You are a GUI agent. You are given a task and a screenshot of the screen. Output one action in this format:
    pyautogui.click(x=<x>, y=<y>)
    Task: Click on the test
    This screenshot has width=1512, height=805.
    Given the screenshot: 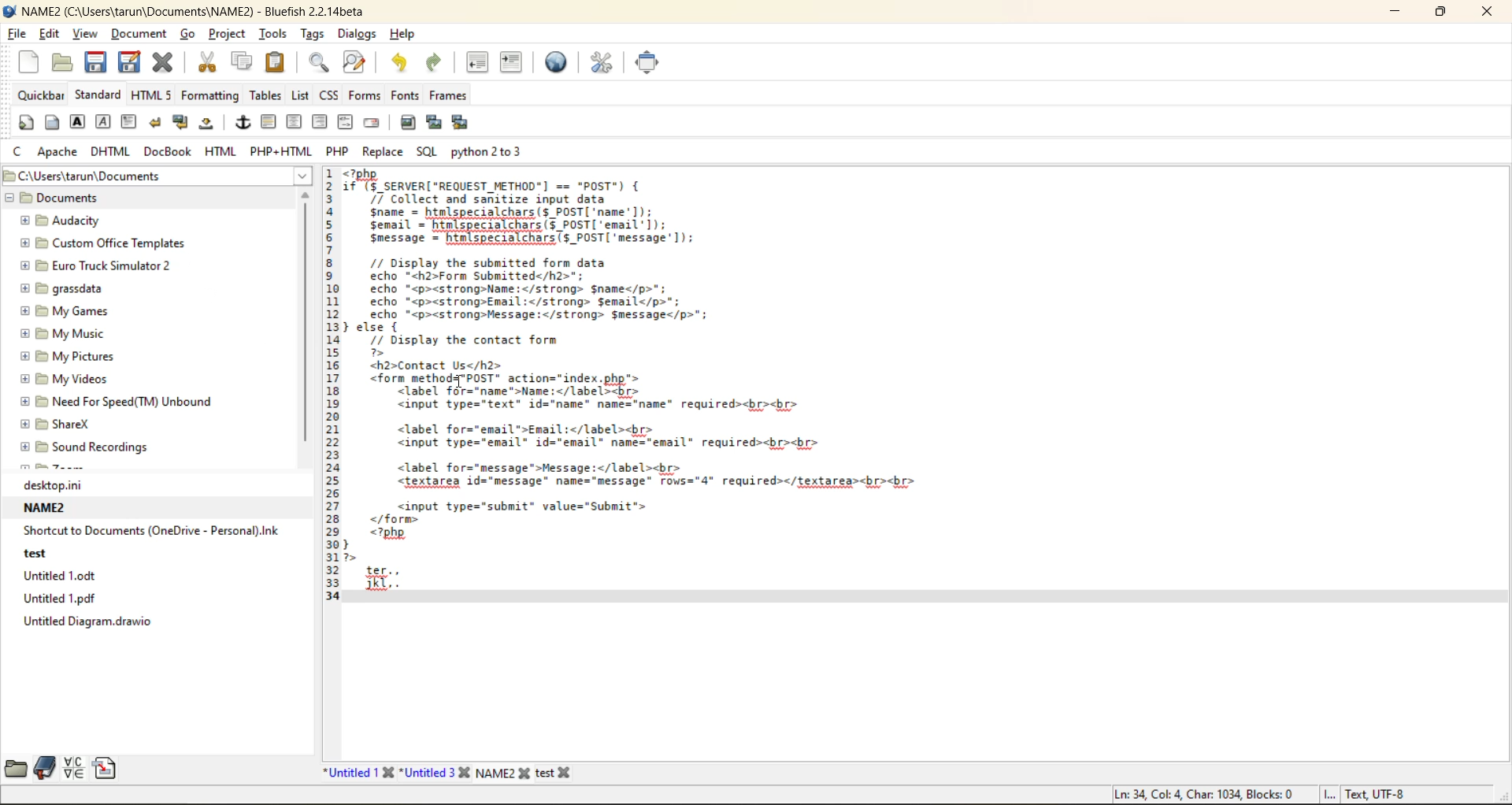 What is the action you would take?
    pyautogui.click(x=47, y=556)
    